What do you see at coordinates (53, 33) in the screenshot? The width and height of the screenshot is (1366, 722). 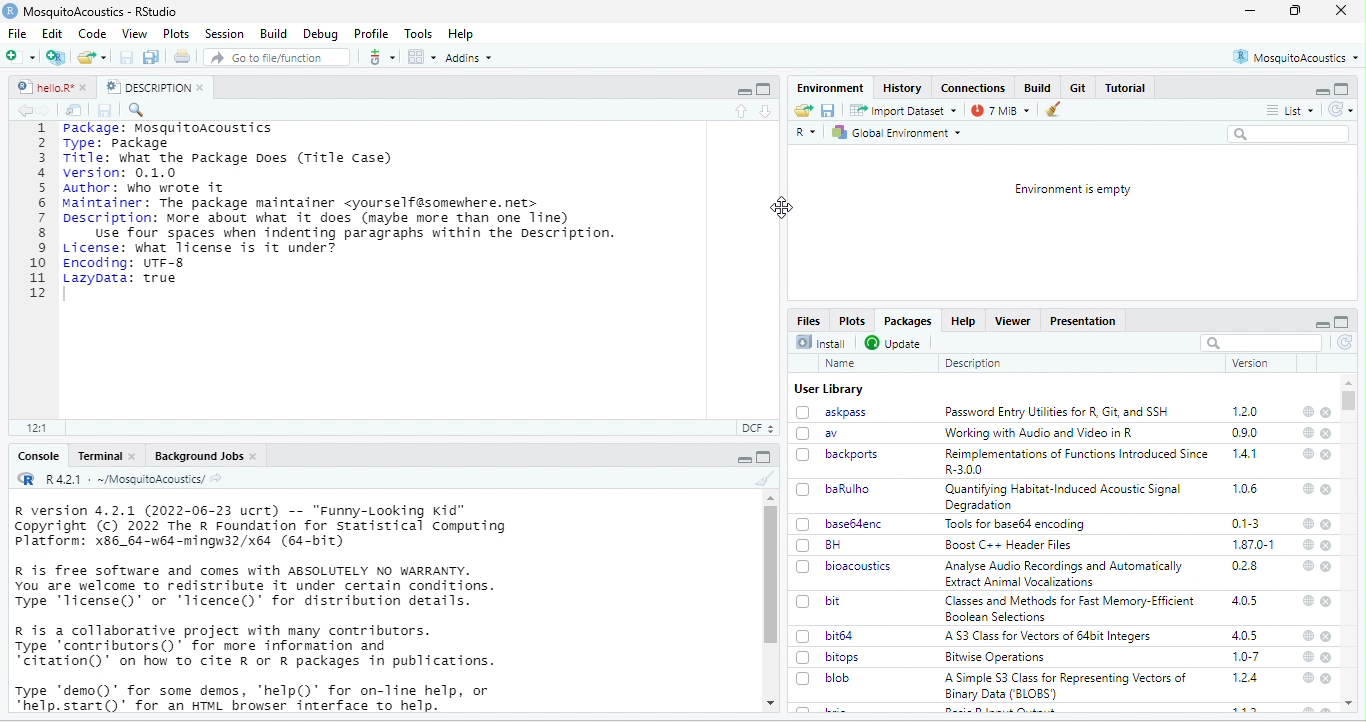 I see `Edit` at bounding box center [53, 33].